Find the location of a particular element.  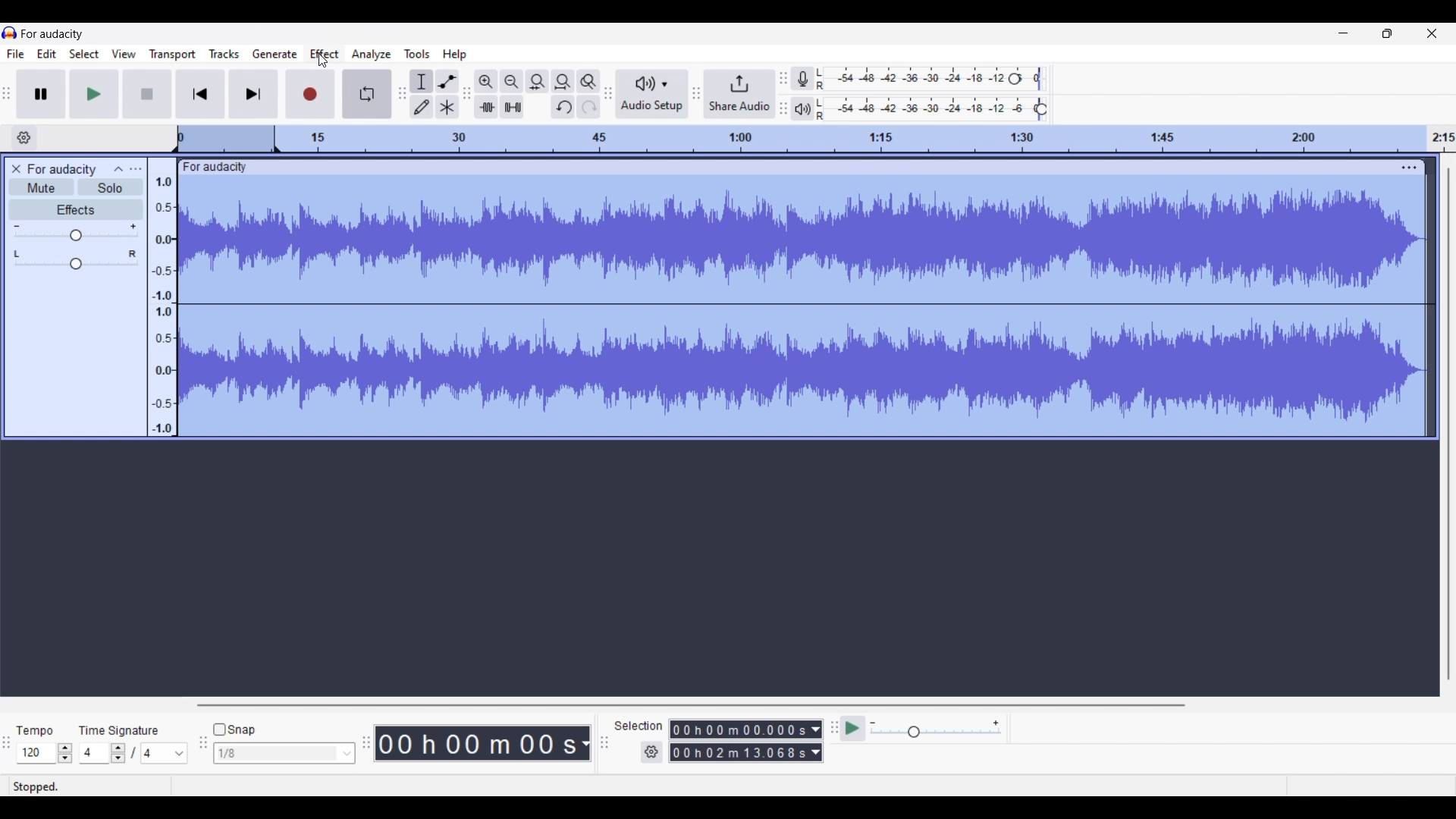

Max. playback speed is located at coordinates (996, 723).